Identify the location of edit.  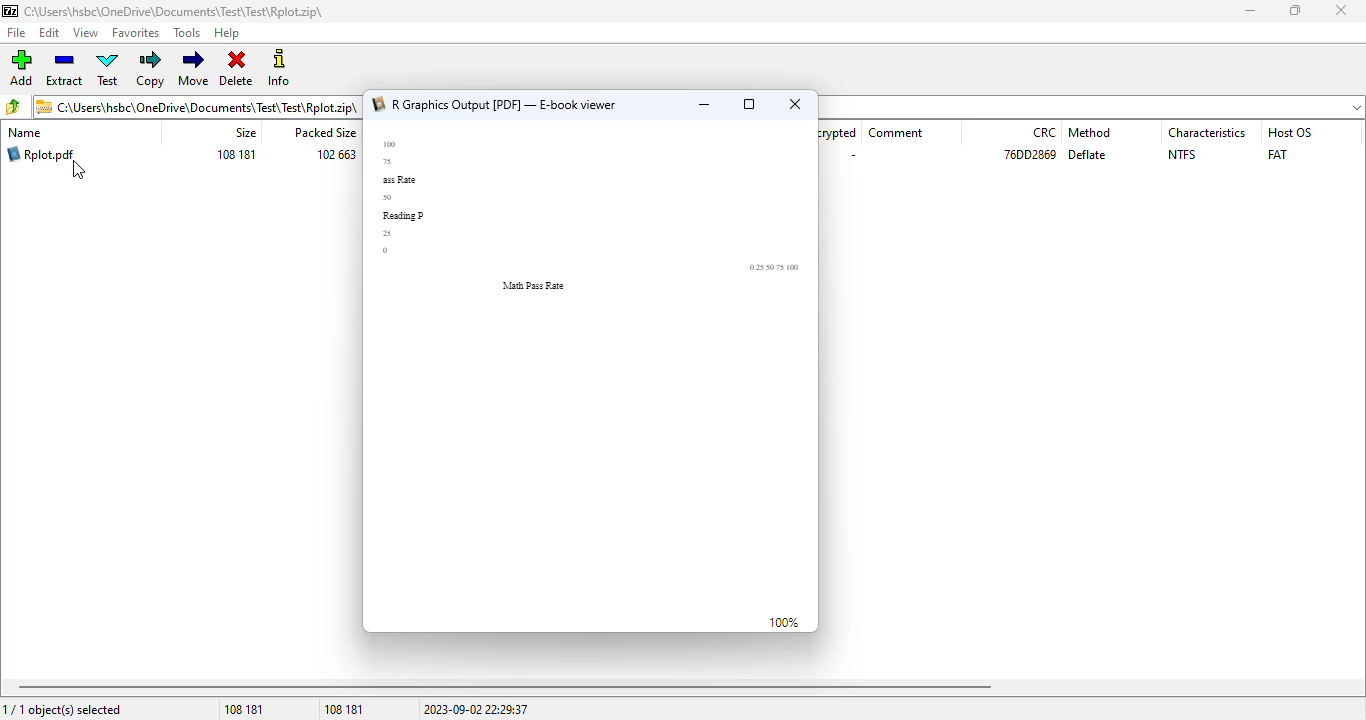
(50, 33).